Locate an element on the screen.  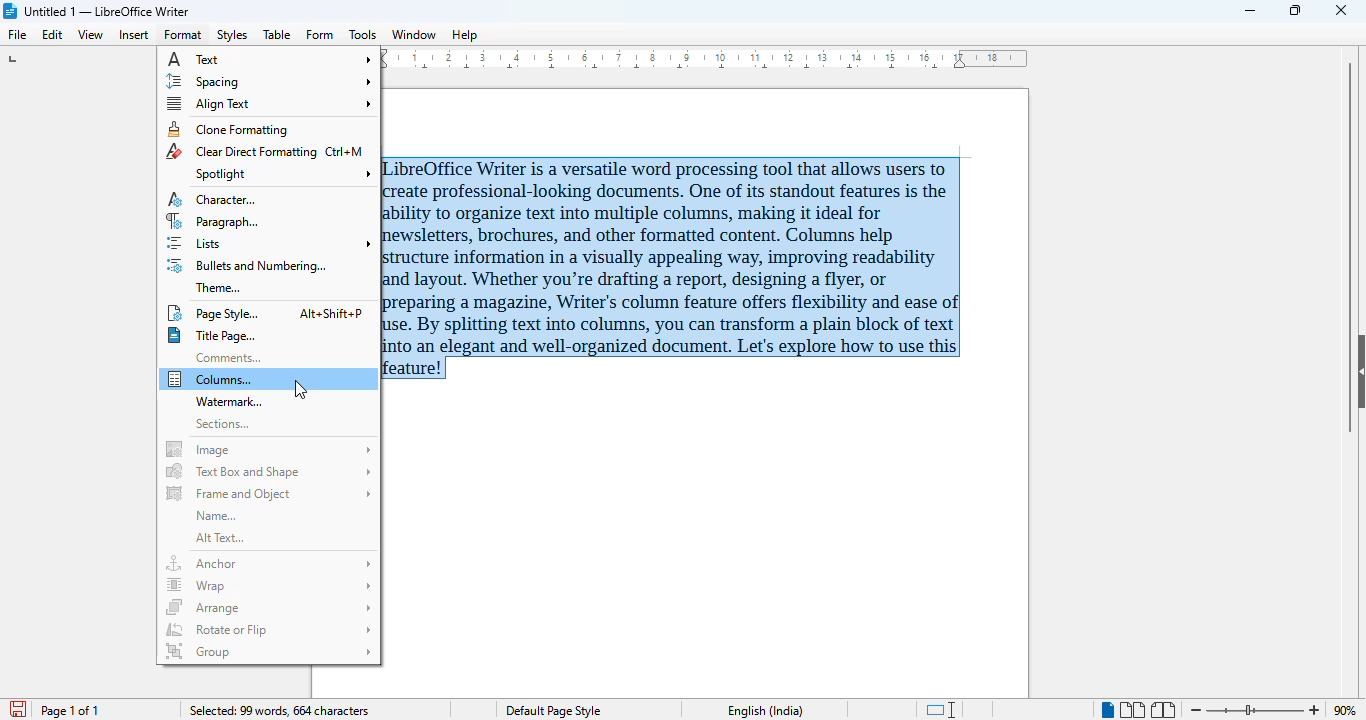
alt text is located at coordinates (220, 538).